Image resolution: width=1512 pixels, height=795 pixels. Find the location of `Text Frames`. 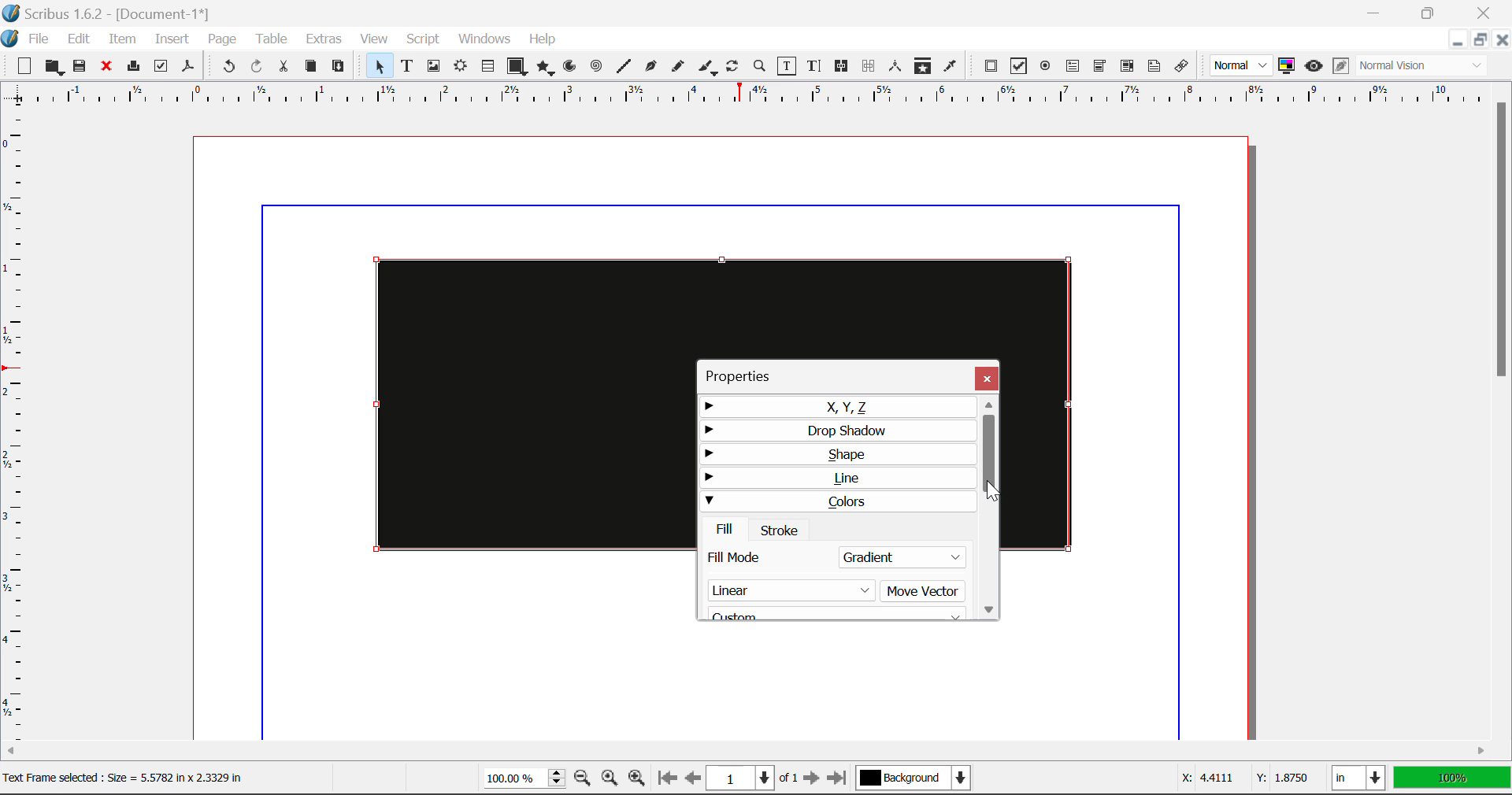

Text Frames is located at coordinates (407, 68).